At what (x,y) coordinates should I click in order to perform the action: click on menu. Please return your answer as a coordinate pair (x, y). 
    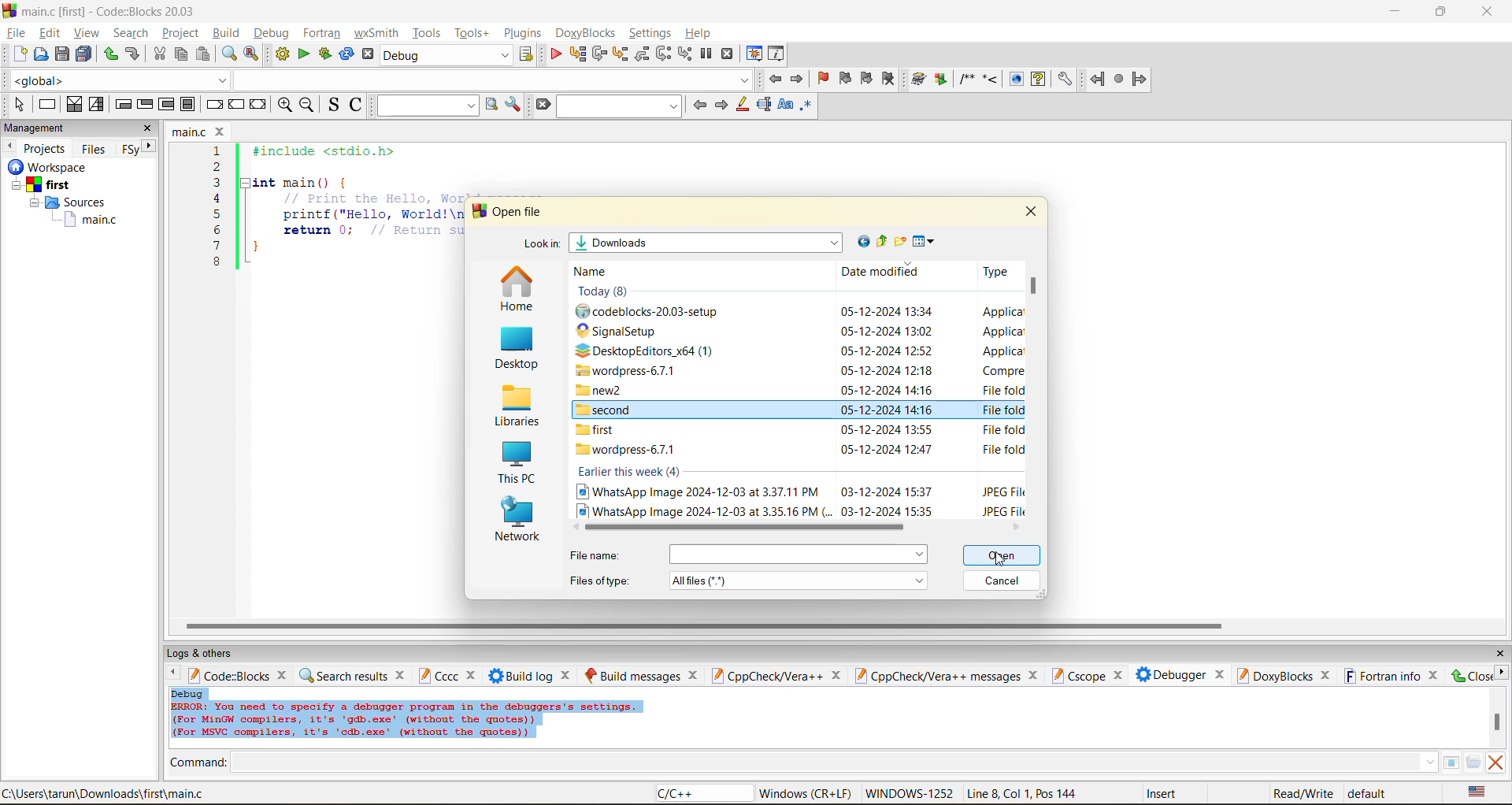
    Looking at the image, I should click on (798, 555).